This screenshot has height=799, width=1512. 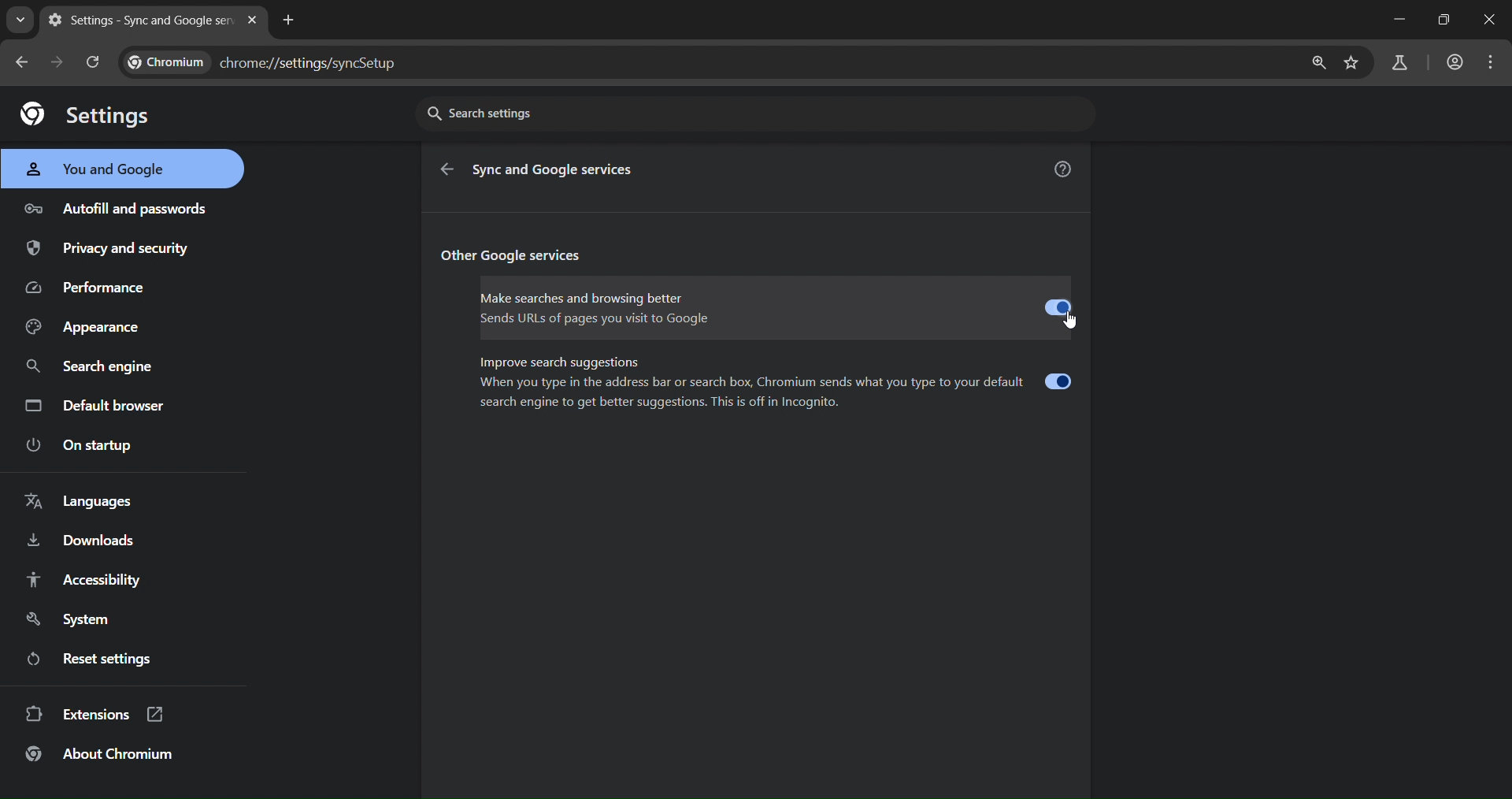 What do you see at coordinates (96, 405) in the screenshot?
I see `default browser` at bounding box center [96, 405].